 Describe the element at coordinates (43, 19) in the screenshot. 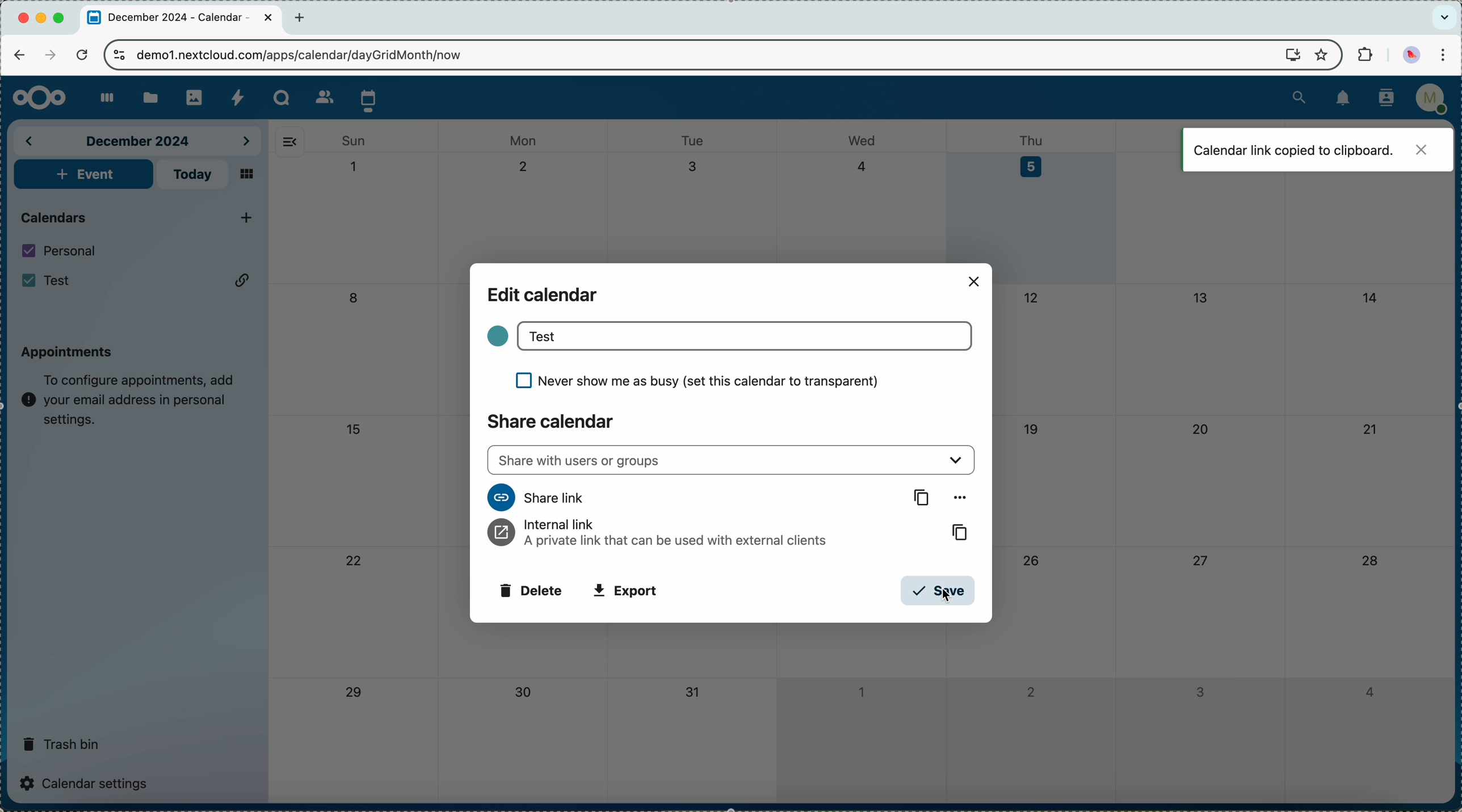

I see `minimize` at that location.